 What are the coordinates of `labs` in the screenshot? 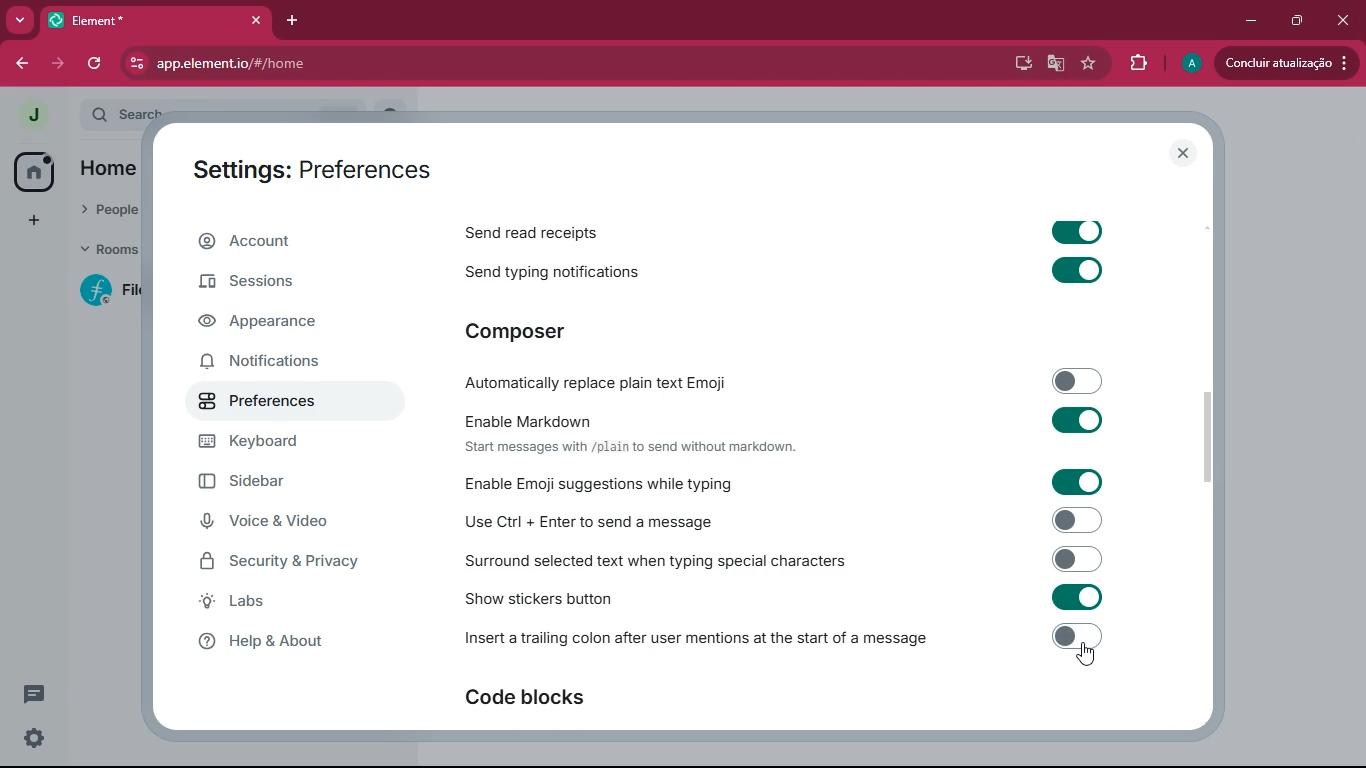 It's located at (288, 603).